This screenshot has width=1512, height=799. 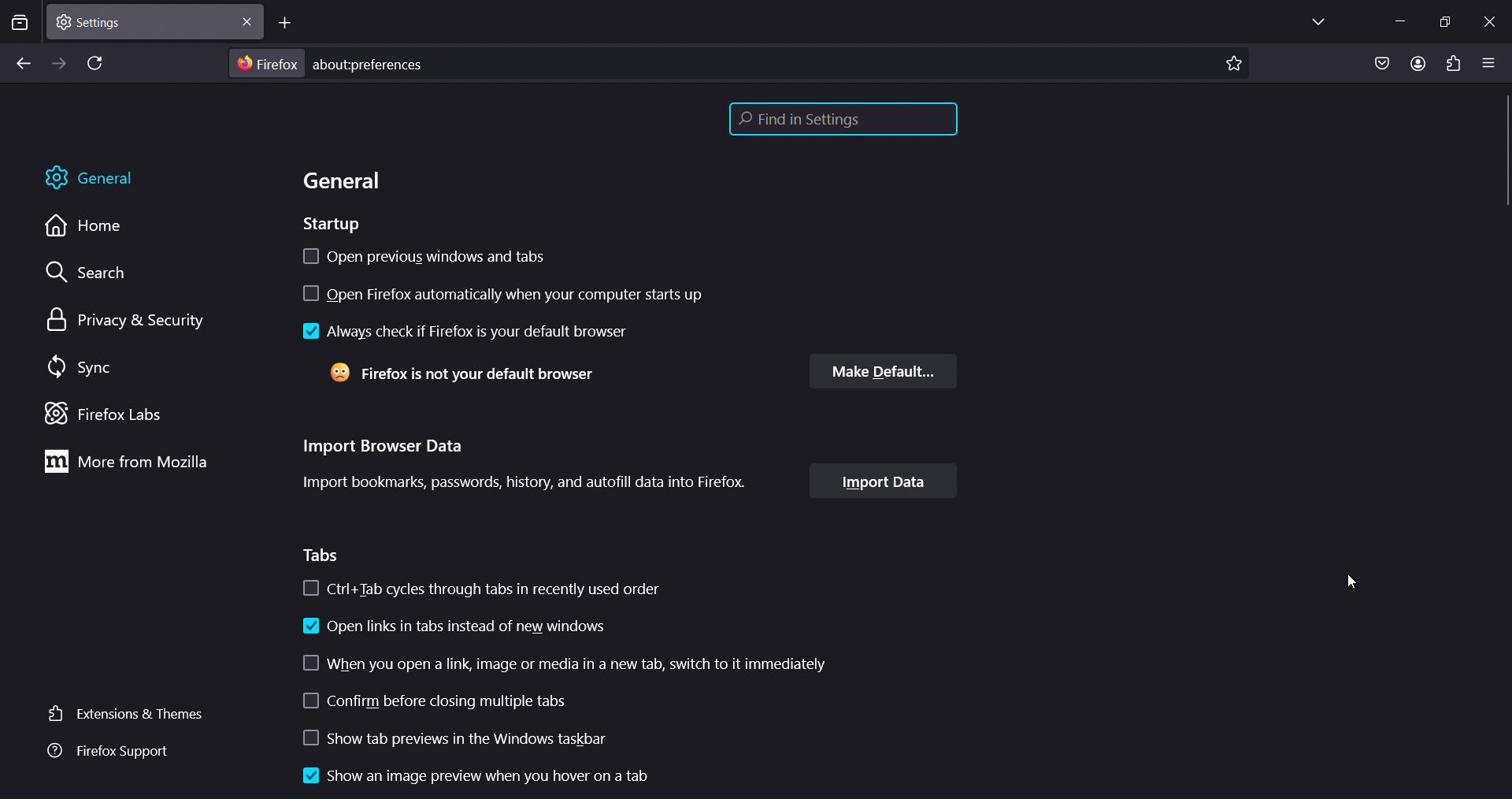 What do you see at coordinates (127, 460) in the screenshot?
I see `more from mozilla` at bounding box center [127, 460].